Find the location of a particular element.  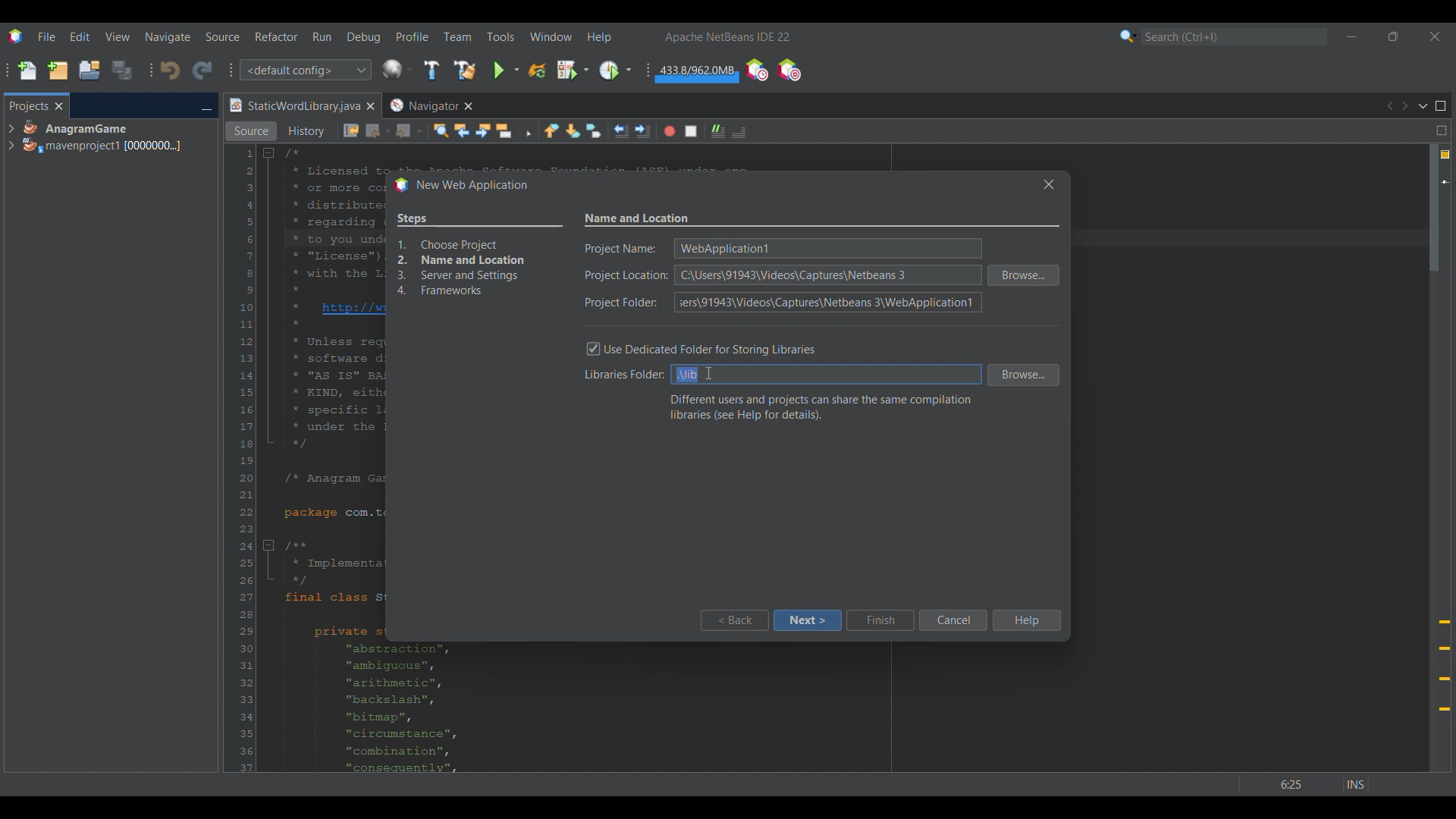

Search options is located at coordinates (1128, 36).